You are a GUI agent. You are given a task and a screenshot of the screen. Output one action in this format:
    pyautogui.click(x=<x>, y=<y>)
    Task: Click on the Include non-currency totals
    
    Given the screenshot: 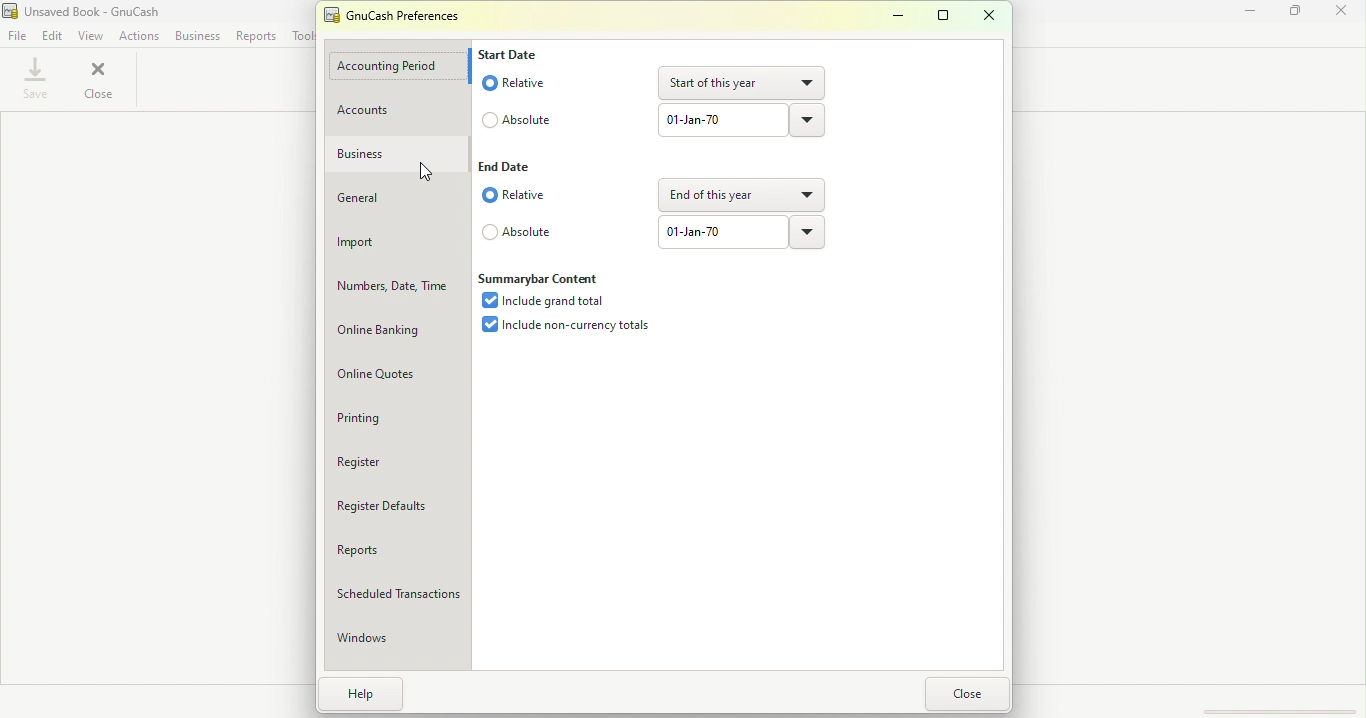 What is the action you would take?
    pyautogui.click(x=576, y=325)
    